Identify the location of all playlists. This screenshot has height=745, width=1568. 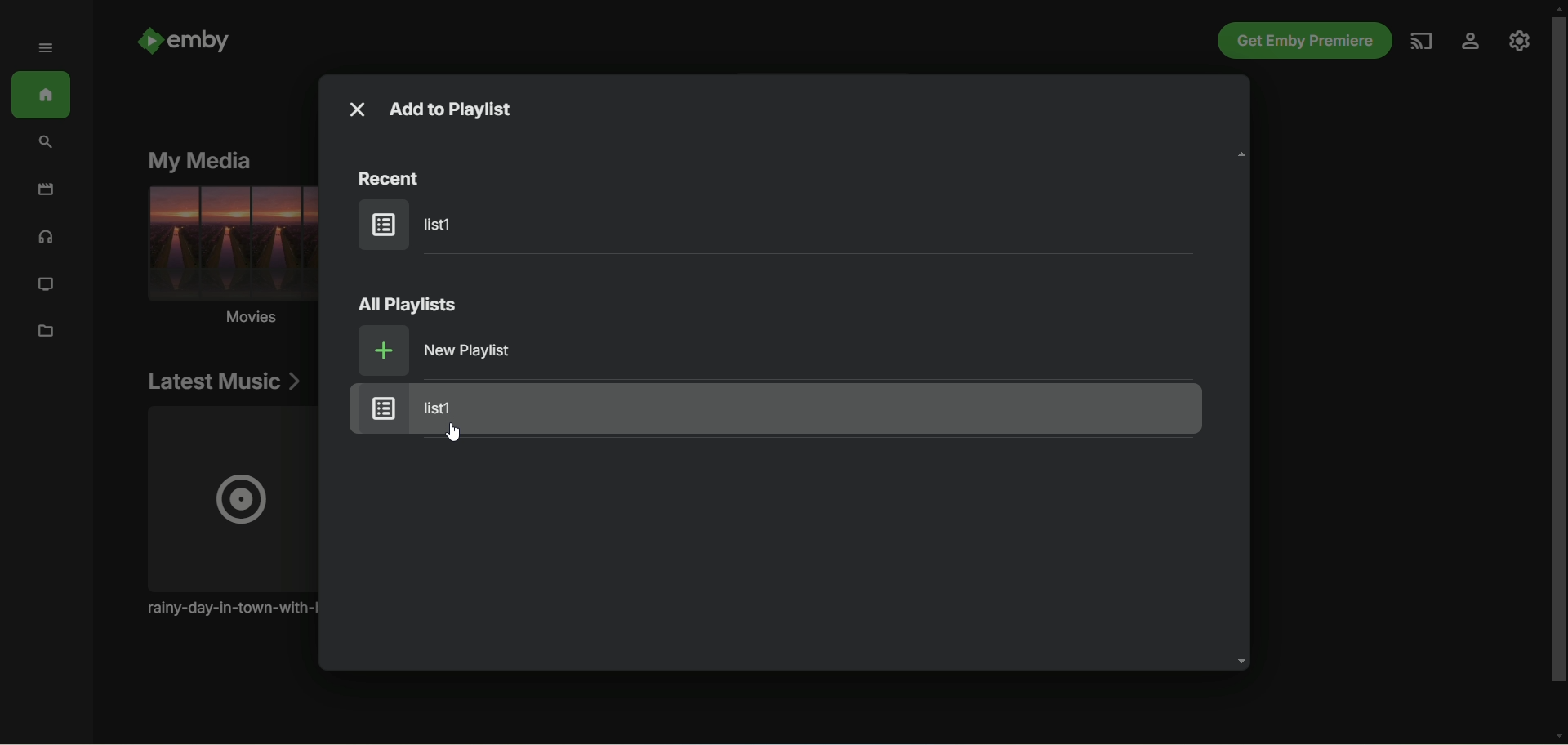
(409, 305).